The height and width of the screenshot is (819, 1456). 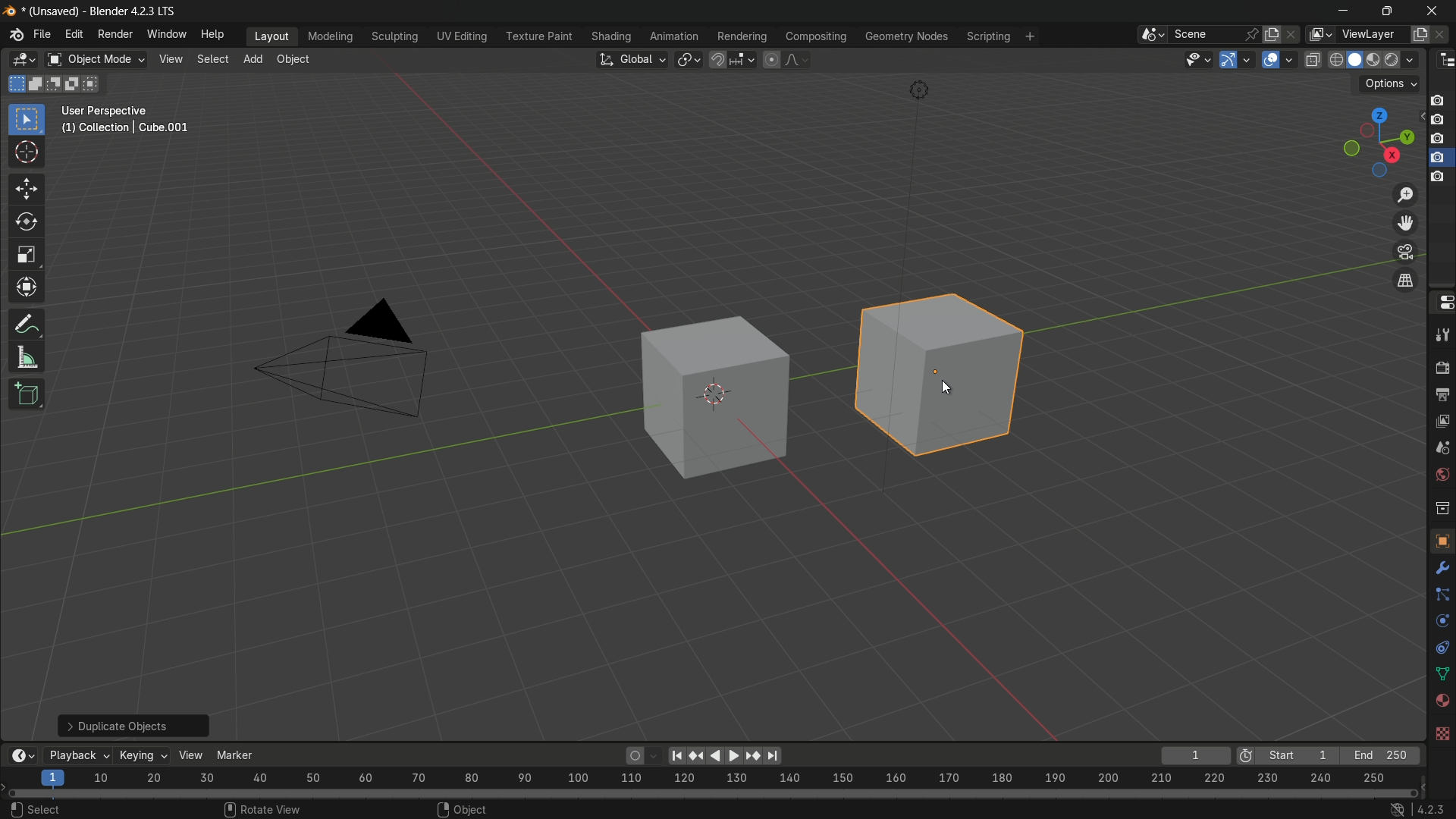 What do you see at coordinates (14, 84) in the screenshot?
I see `set new selection` at bounding box center [14, 84].